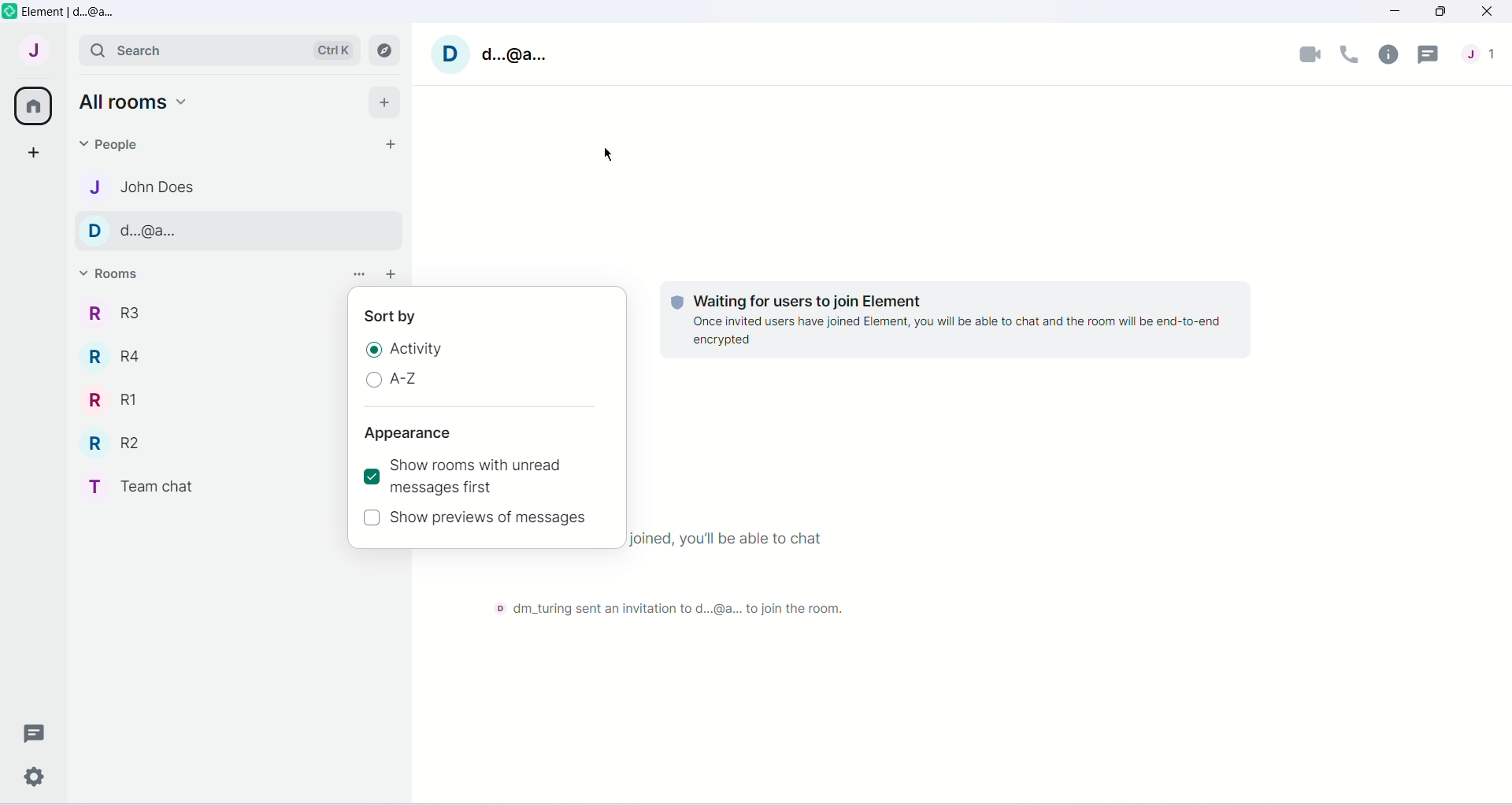 This screenshot has width=1512, height=805. Describe the element at coordinates (151, 232) in the screenshot. I see `d..@a` at that location.